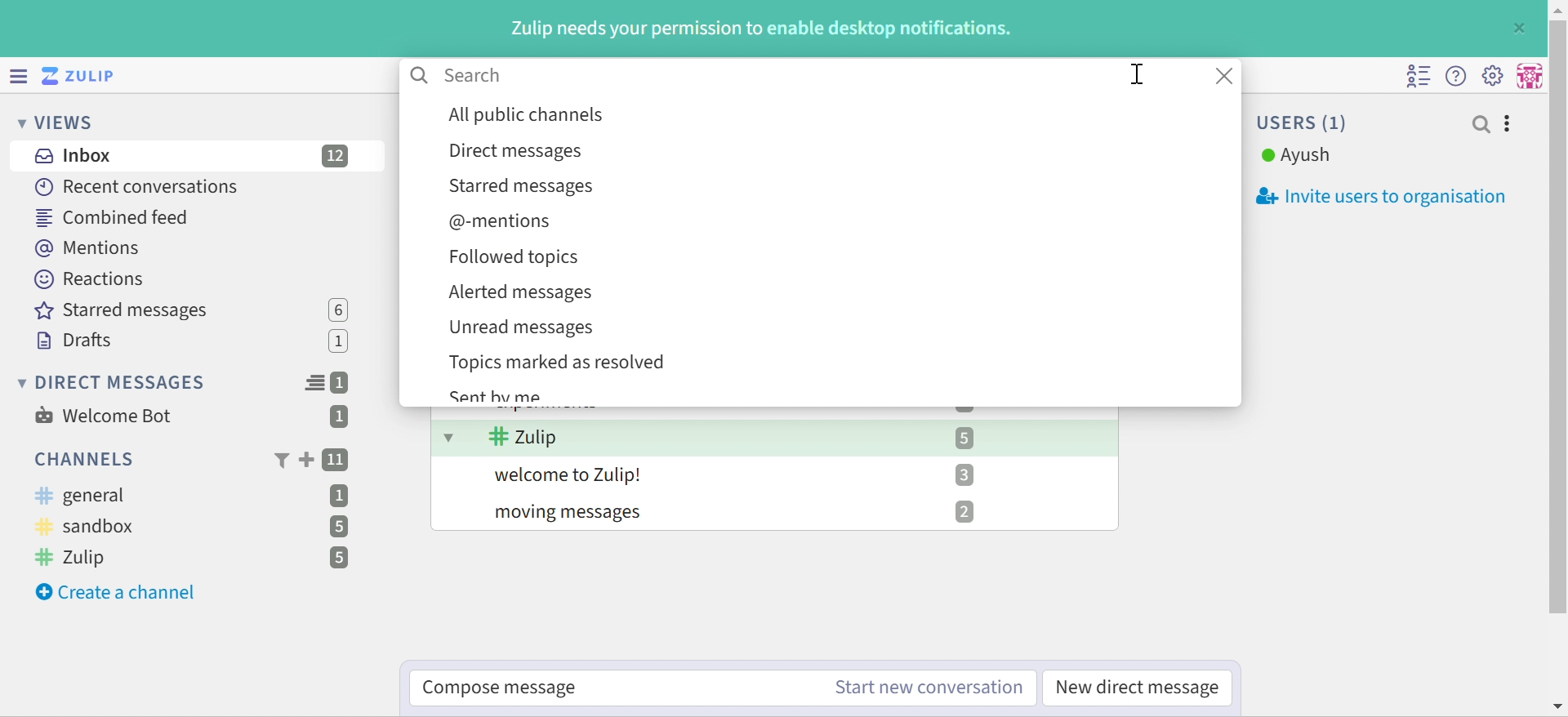  I want to click on Hide user list, so click(1419, 77).